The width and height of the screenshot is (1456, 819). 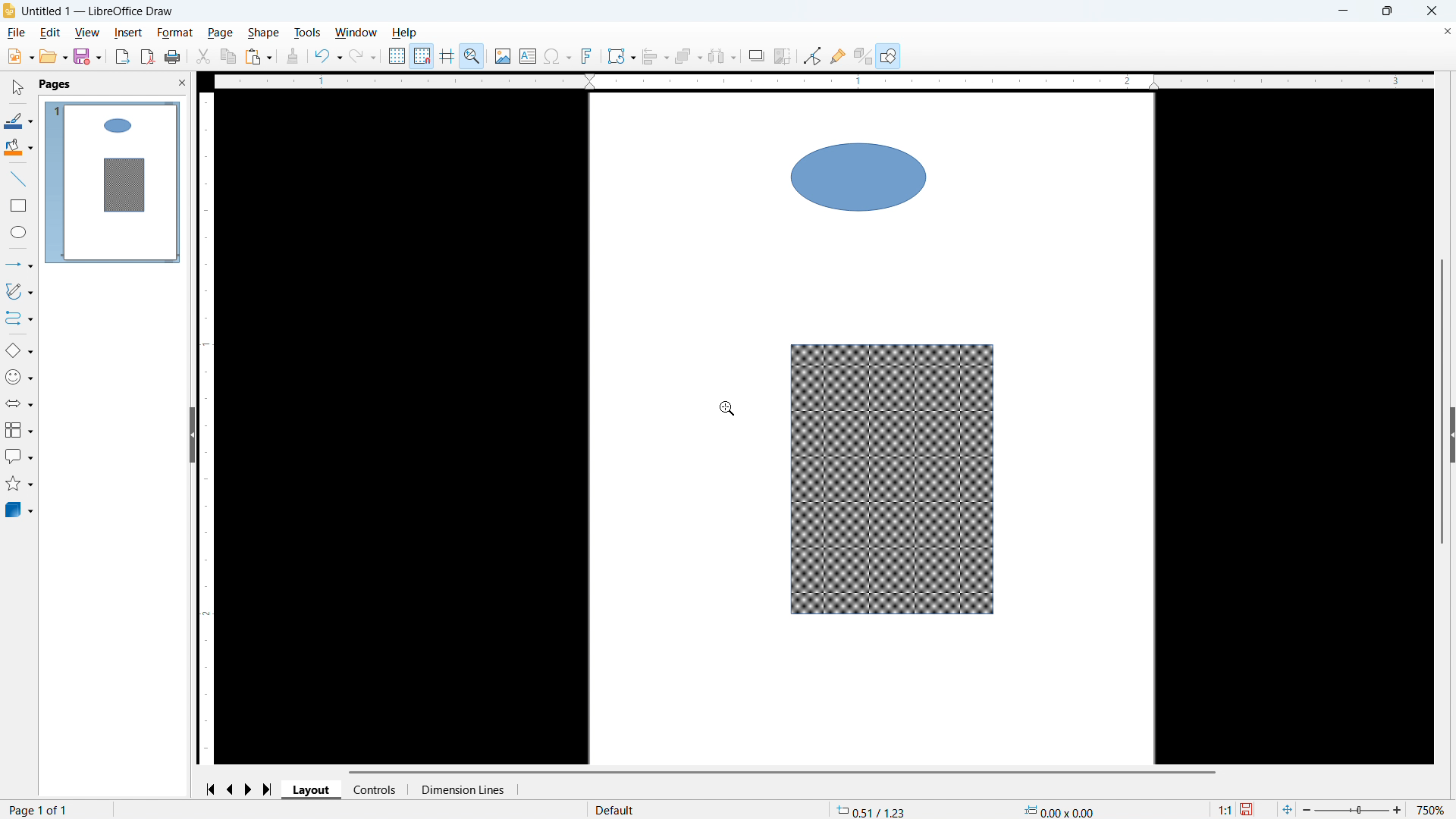 I want to click on Ellipse , so click(x=17, y=232).